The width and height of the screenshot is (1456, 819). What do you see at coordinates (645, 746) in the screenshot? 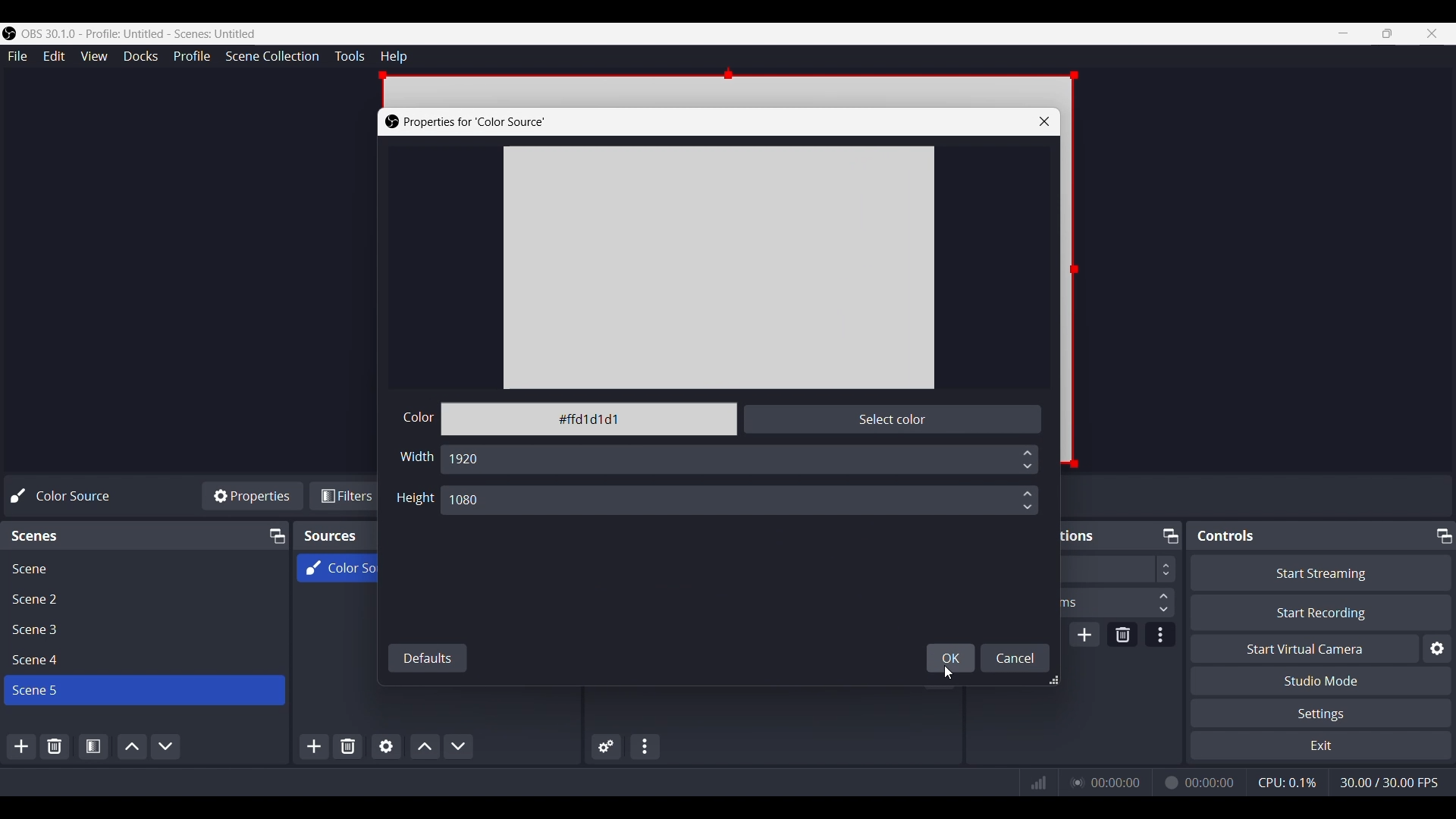
I see `Audio Mixer Menu` at bounding box center [645, 746].